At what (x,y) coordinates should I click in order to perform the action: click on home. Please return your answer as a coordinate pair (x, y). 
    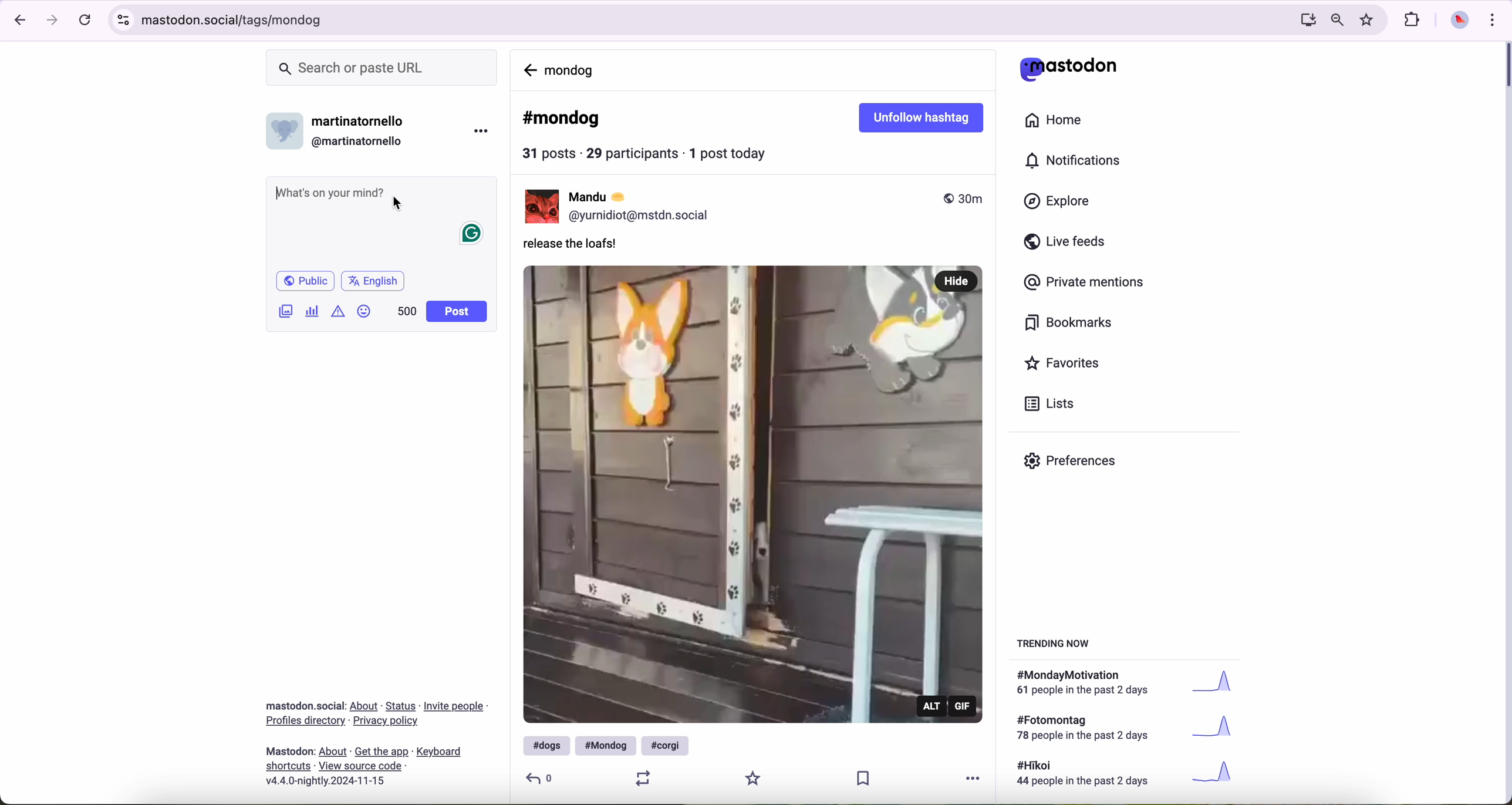
    Looking at the image, I should click on (1055, 119).